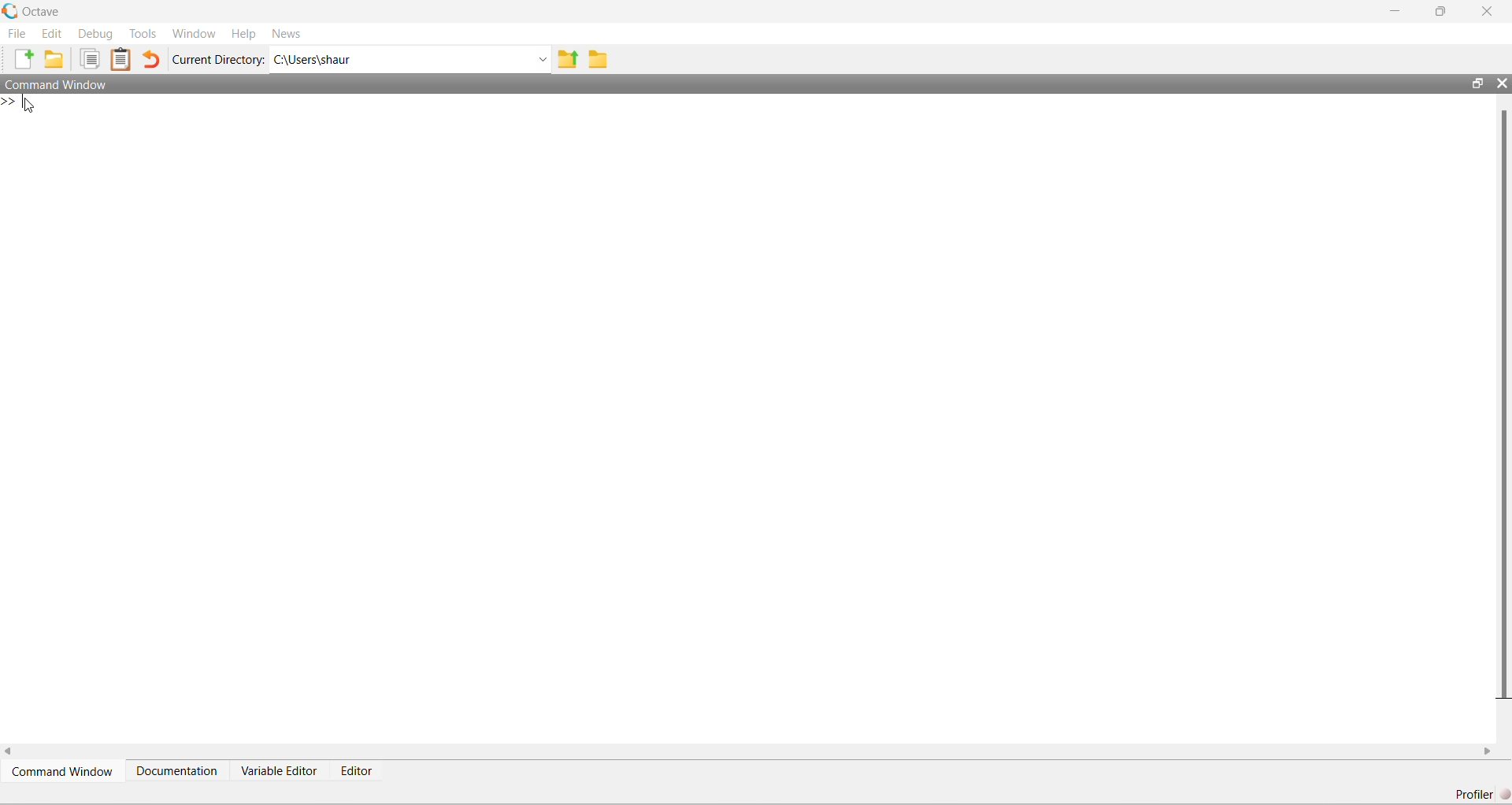  Describe the element at coordinates (358, 770) in the screenshot. I see `Editor` at that location.